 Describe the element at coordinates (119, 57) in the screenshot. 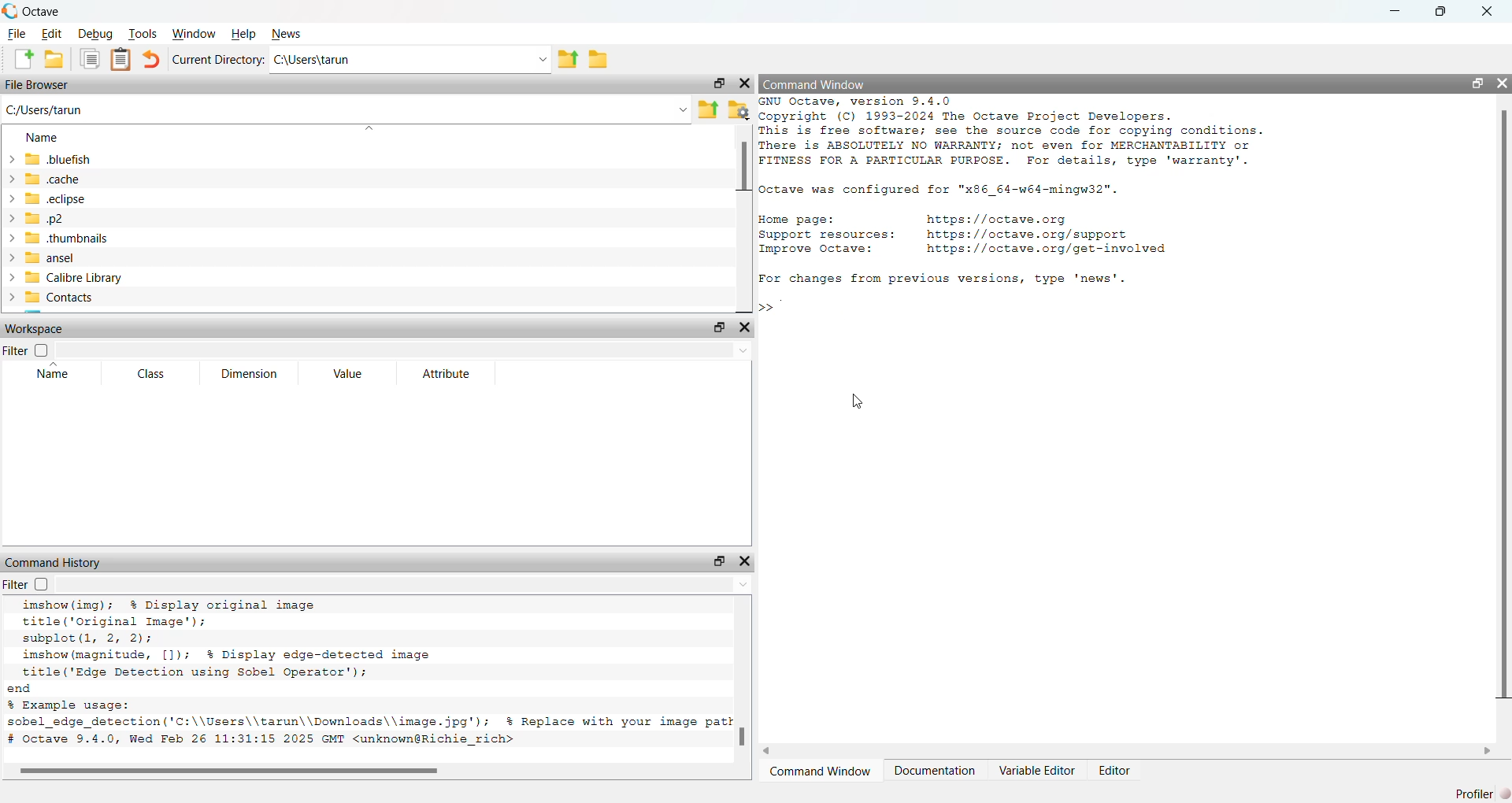

I see `document clipboard` at that location.